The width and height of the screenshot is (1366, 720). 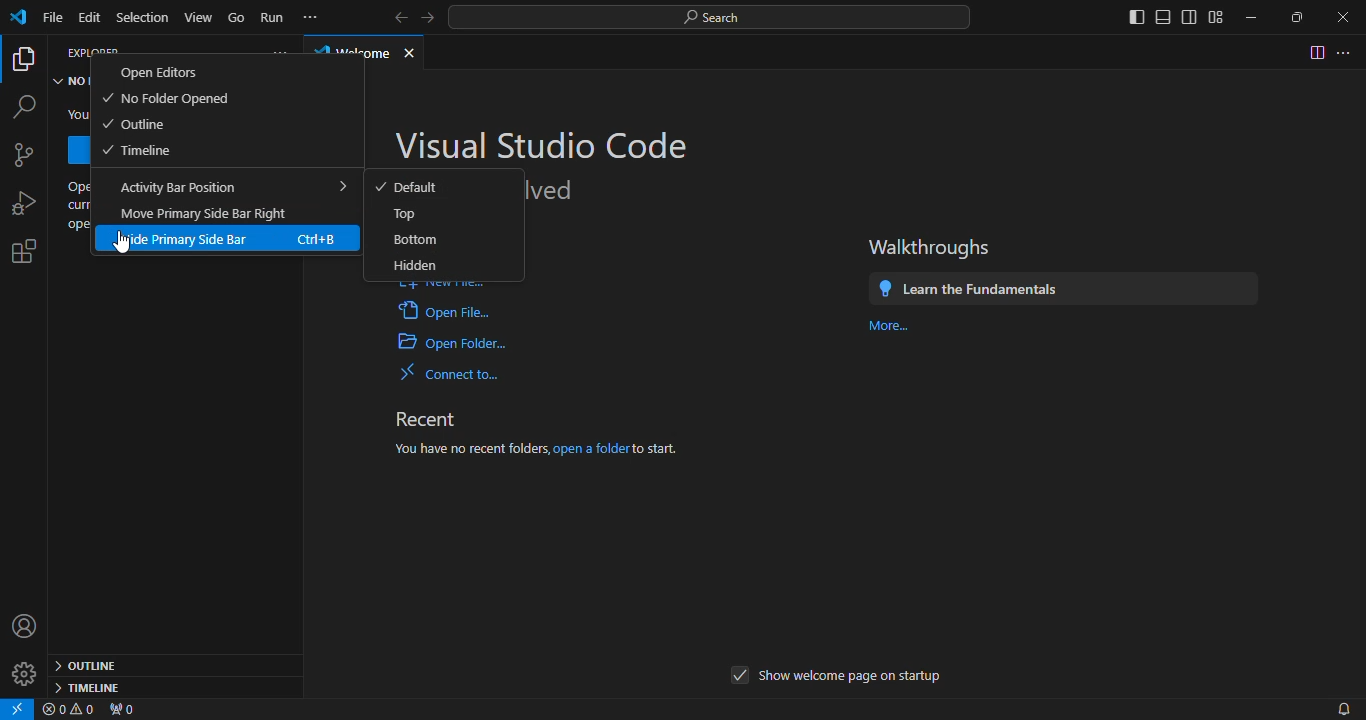 I want to click on outline, so click(x=90, y=663).